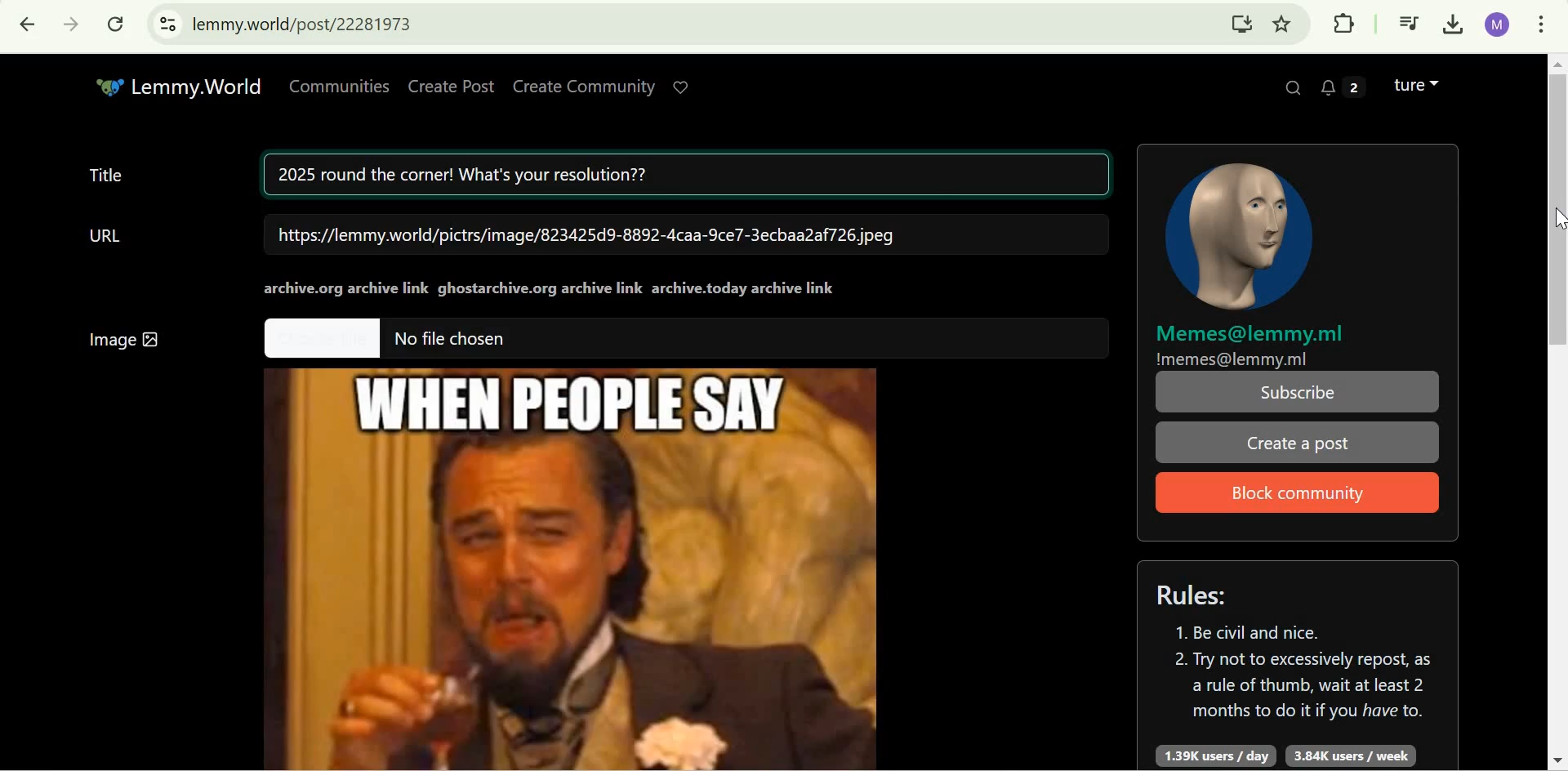  I want to click on Memes@lemmy.ml, so click(1251, 335).